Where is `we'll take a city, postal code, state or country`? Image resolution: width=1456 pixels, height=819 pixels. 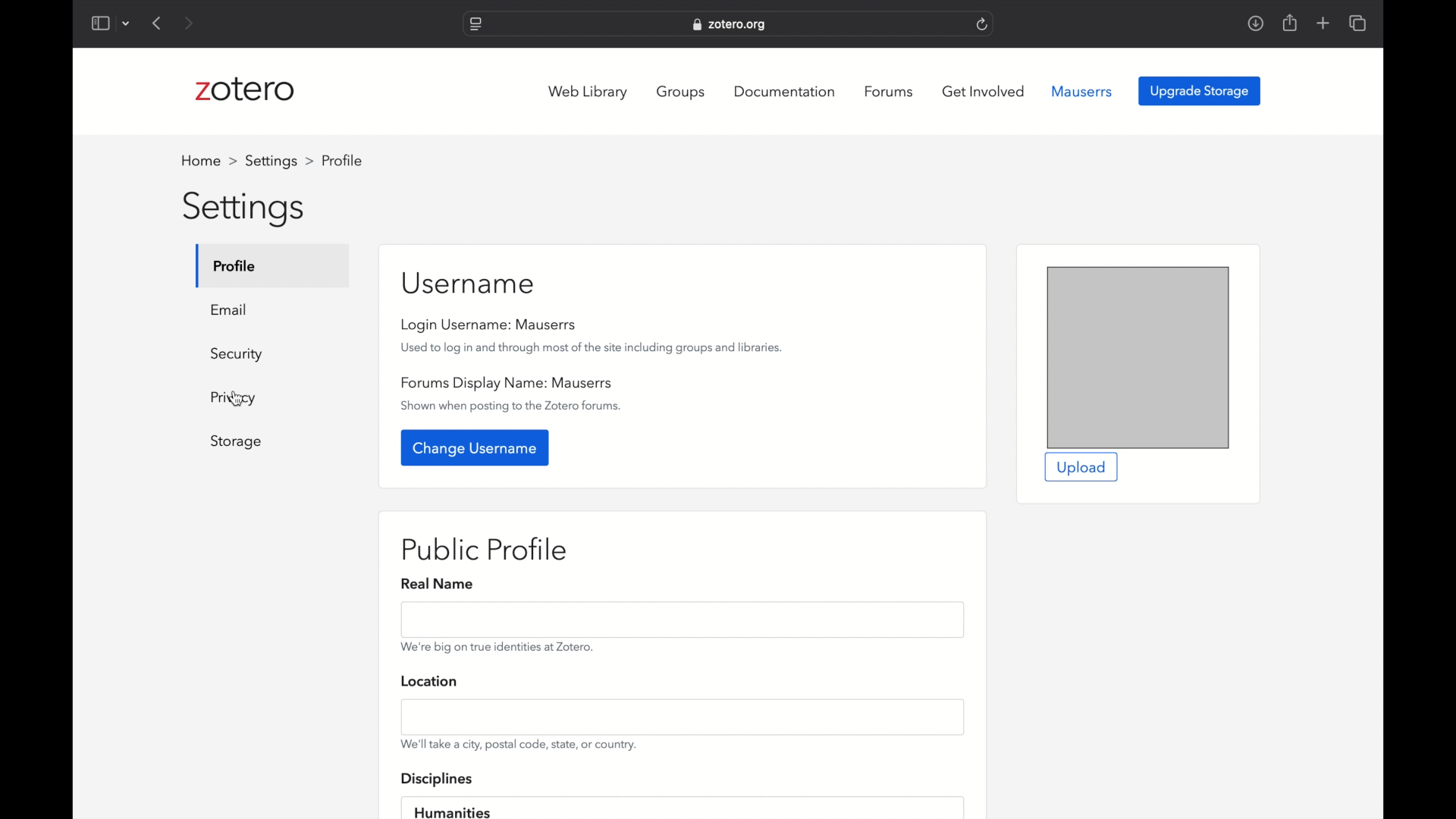
we'll take a city, postal code, state or country is located at coordinates (520, 745).